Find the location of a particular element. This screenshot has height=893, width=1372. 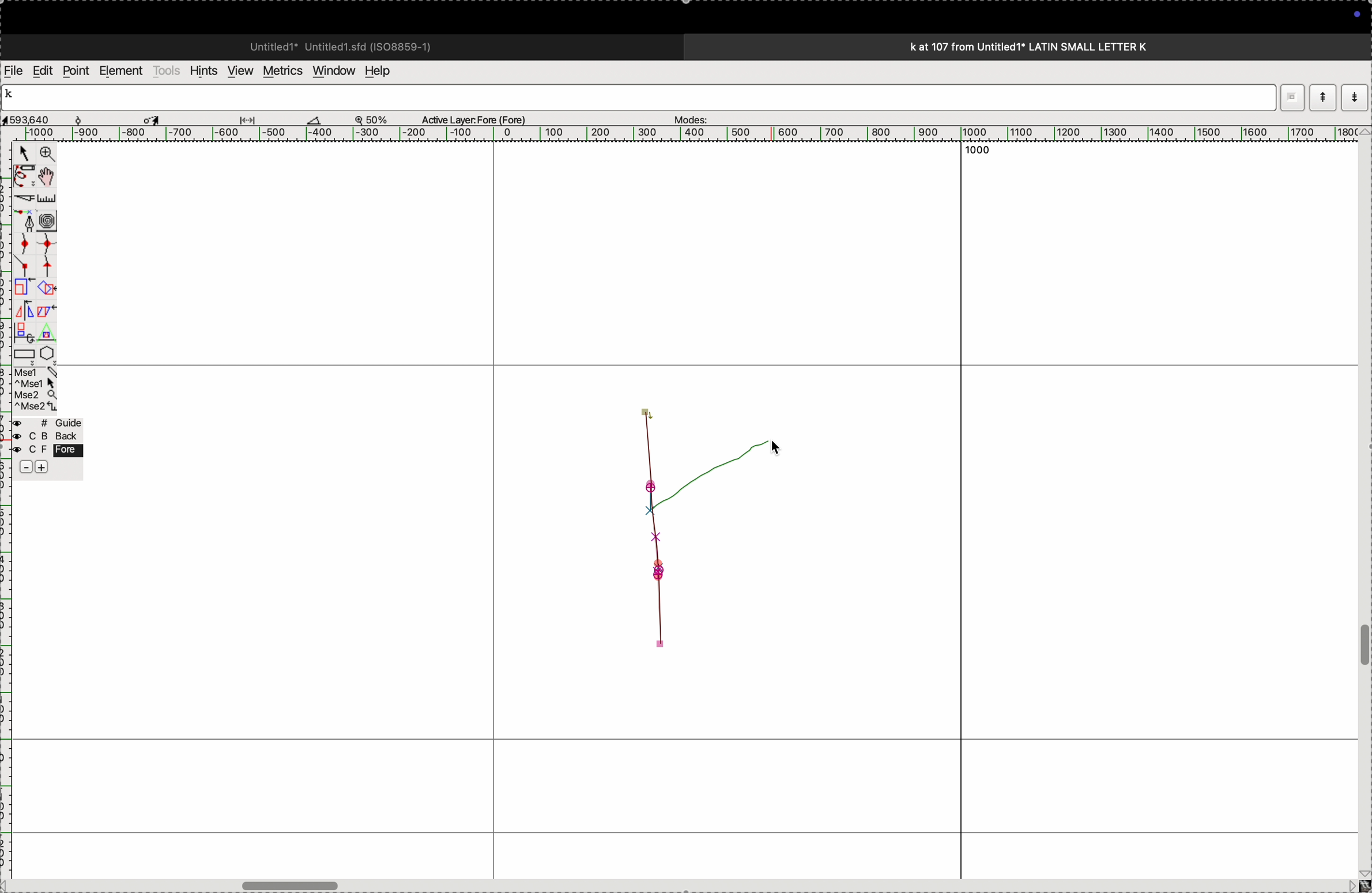

spline is located at coordinates (35, 253).